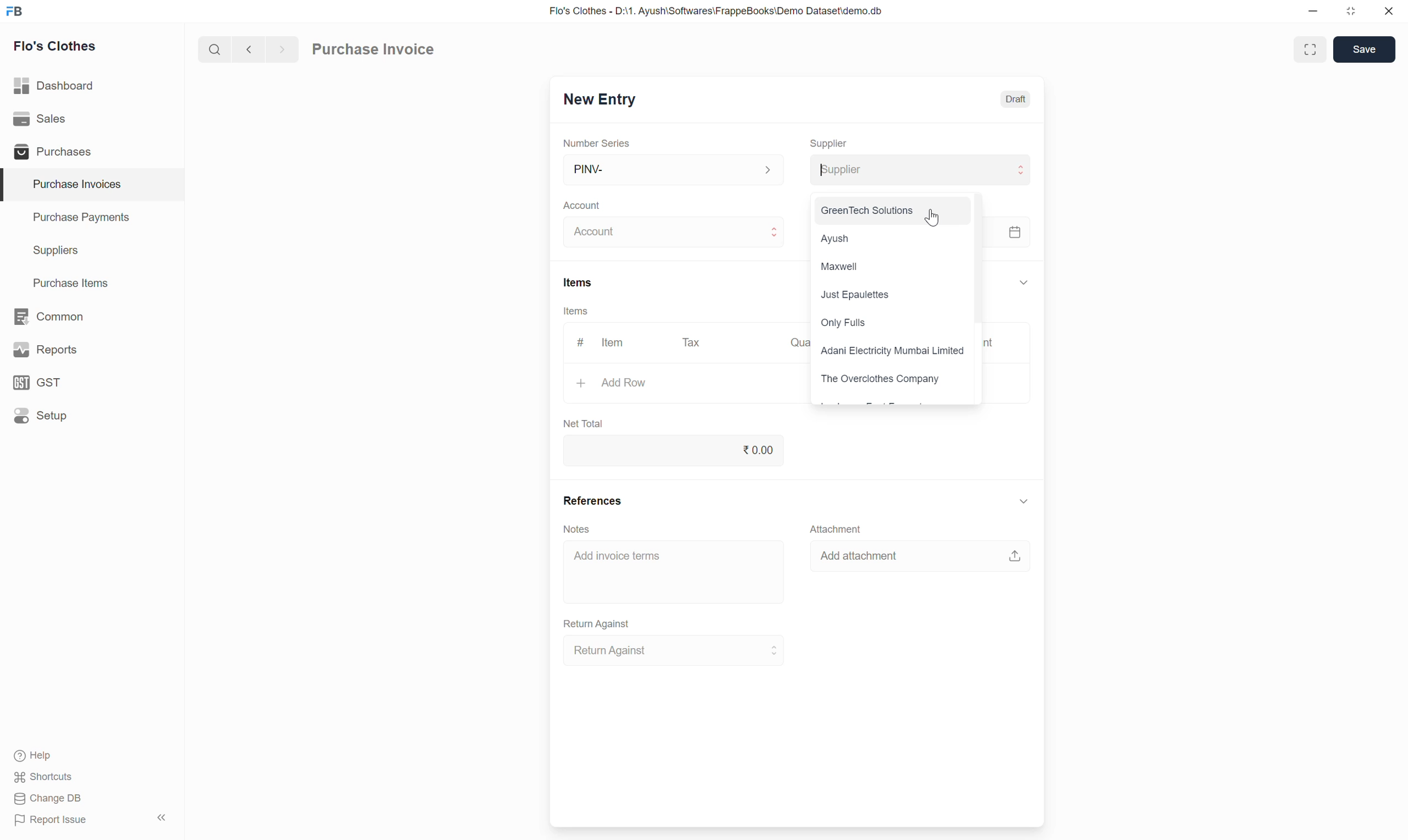 The image size is (1408, 840). I want to click on # Item, so click(604, 342).